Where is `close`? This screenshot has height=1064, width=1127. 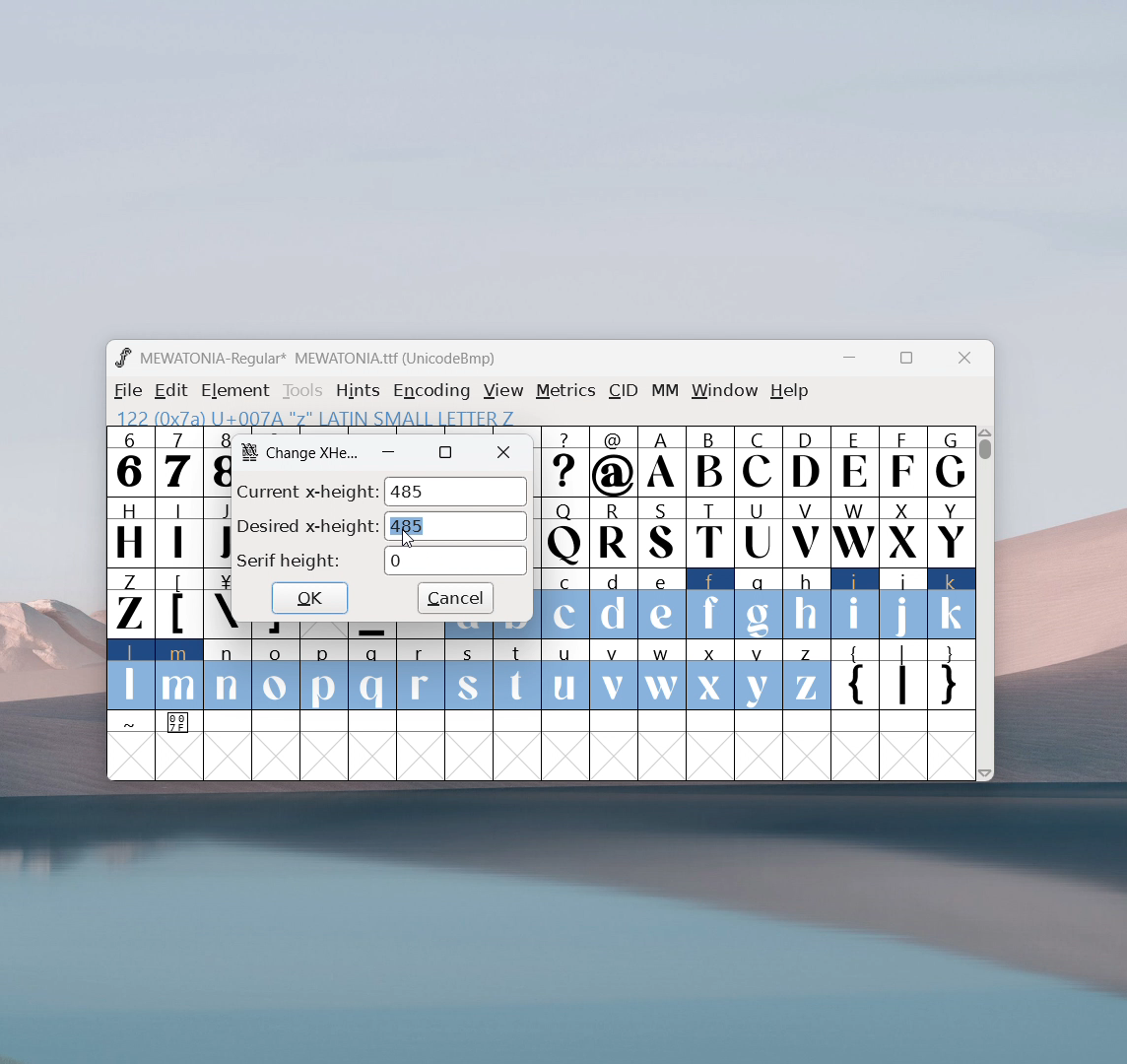 close is located at coordinates (964, 359).